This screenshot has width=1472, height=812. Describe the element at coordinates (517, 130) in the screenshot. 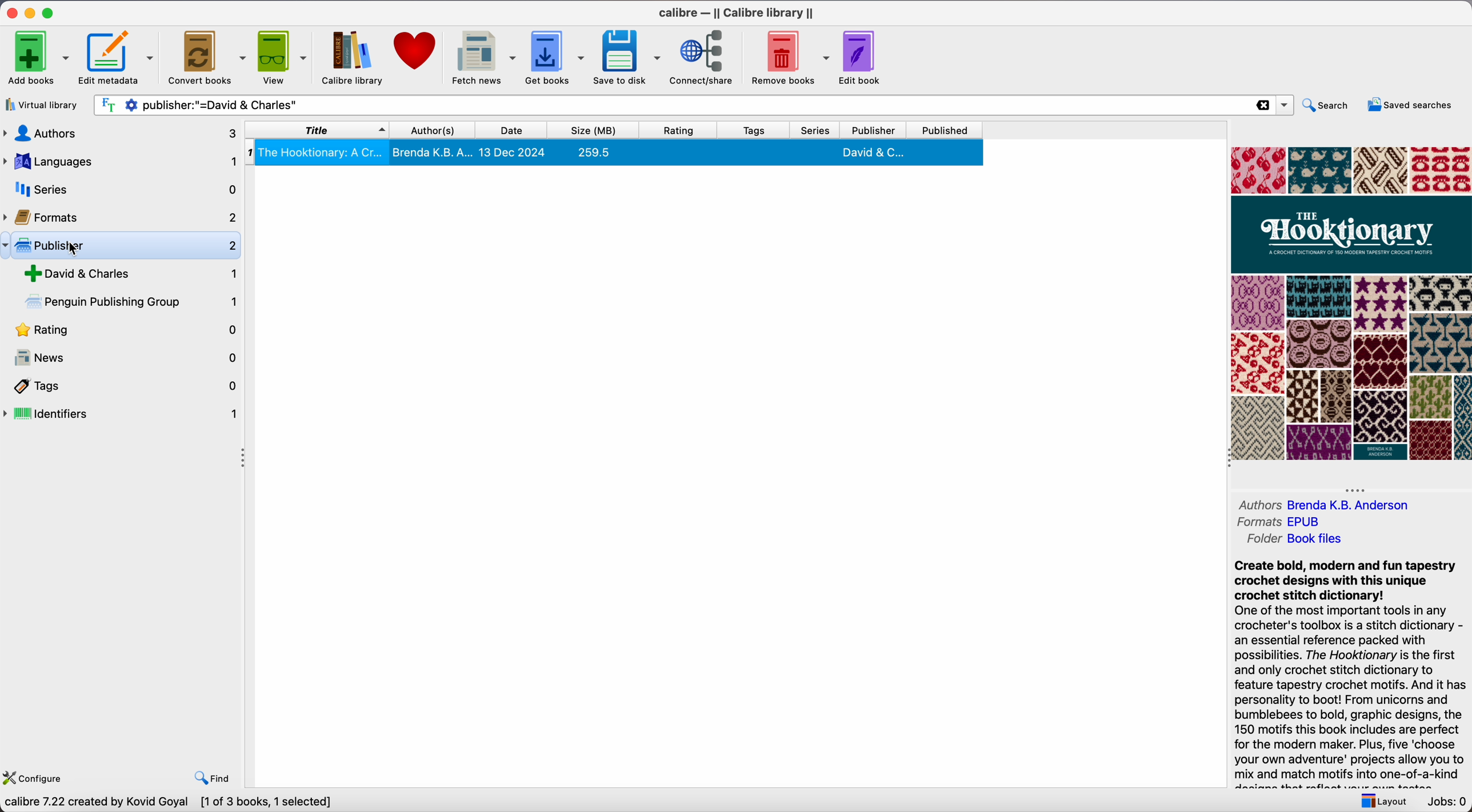

I see `date` at that location.